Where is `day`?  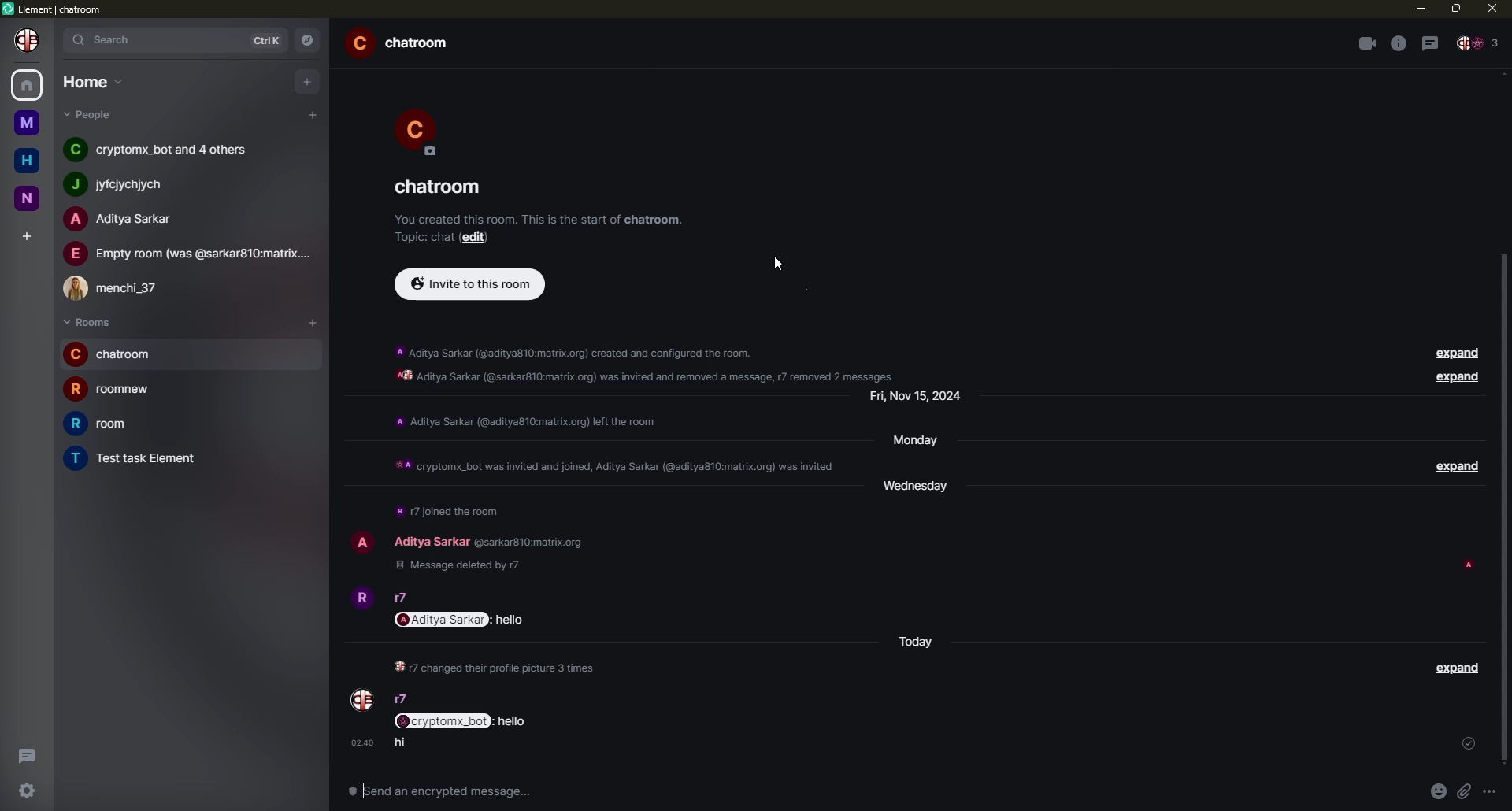
day is located at coordinates (918, 643).